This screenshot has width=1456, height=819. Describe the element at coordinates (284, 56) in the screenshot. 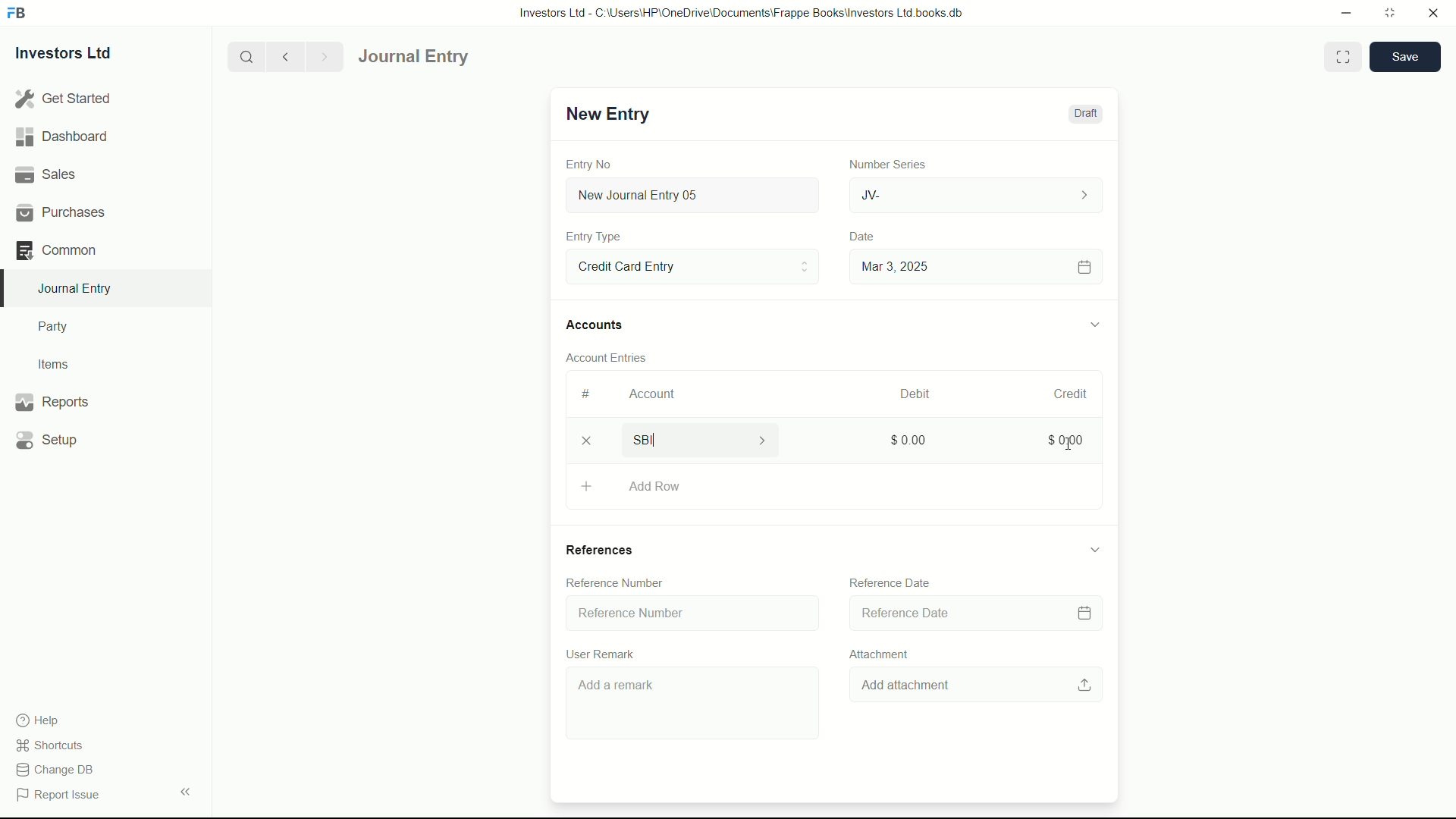

I see `previous` at that location.